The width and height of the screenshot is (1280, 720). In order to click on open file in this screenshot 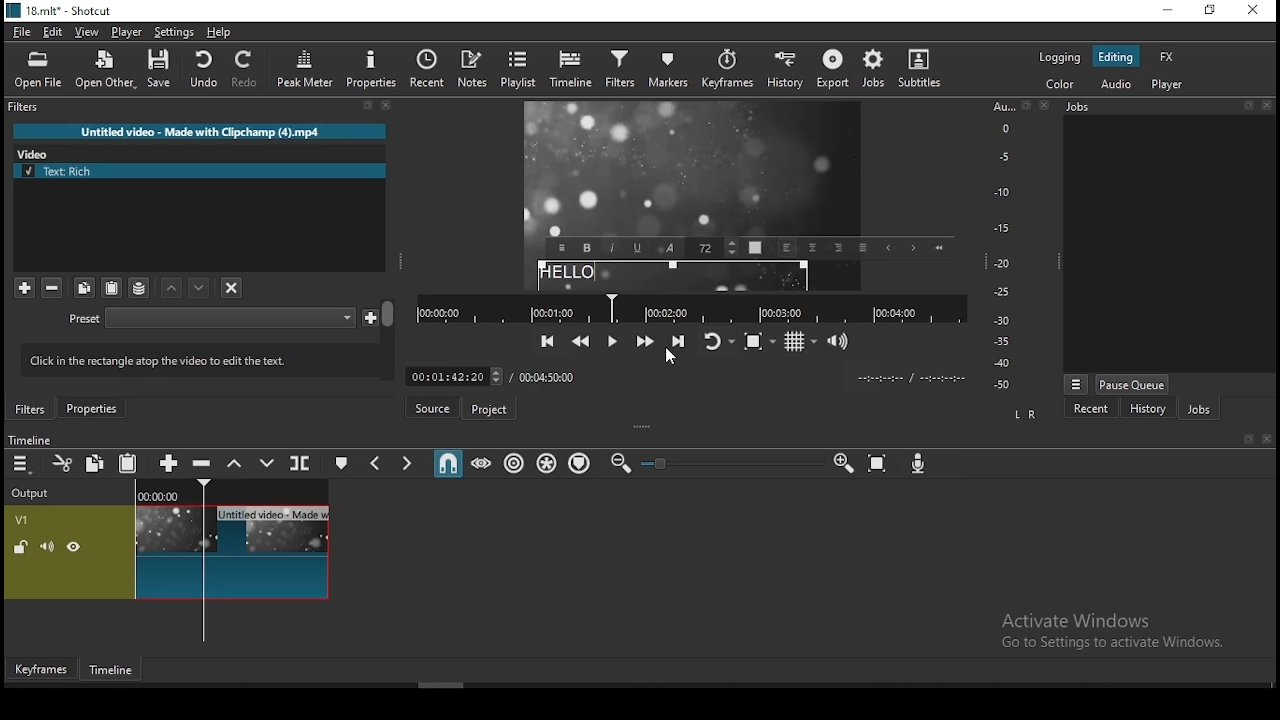, I will do `click(38, 71)`.